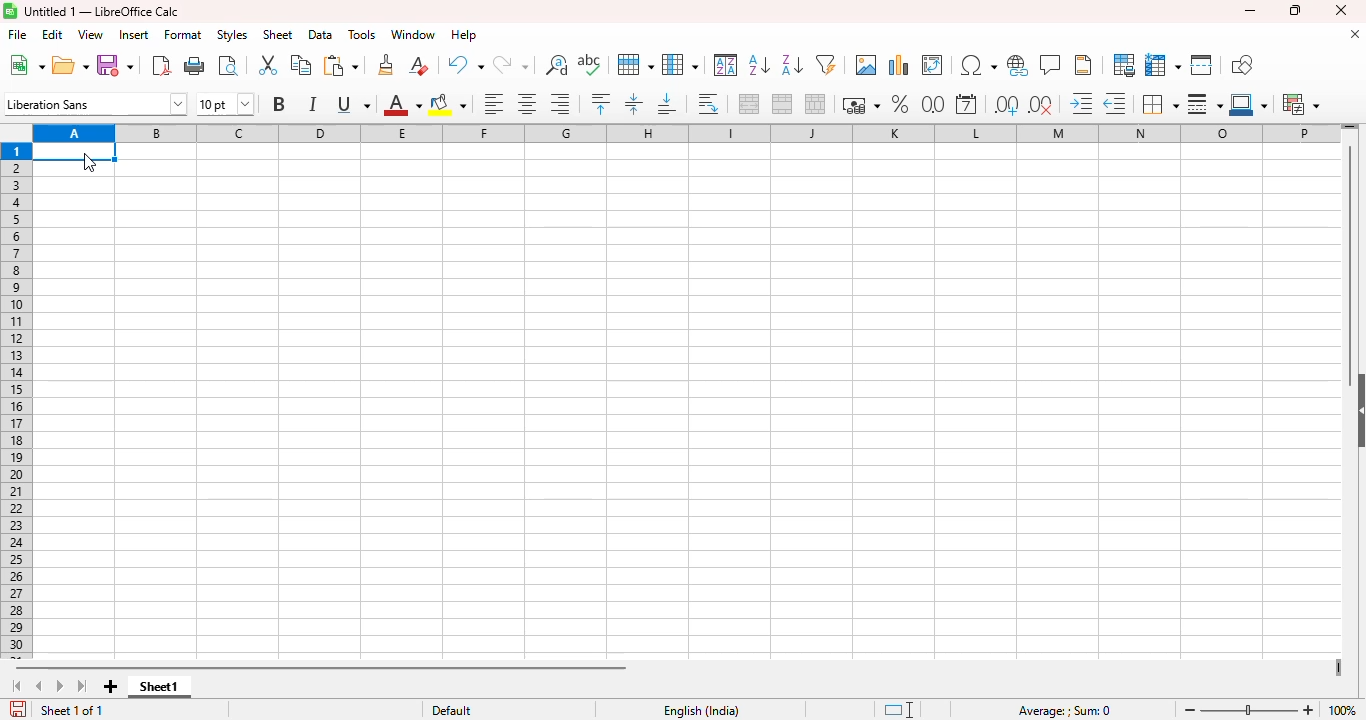 This screenshot has height=720, width=1366. I want to click on format, so click(183, 35).